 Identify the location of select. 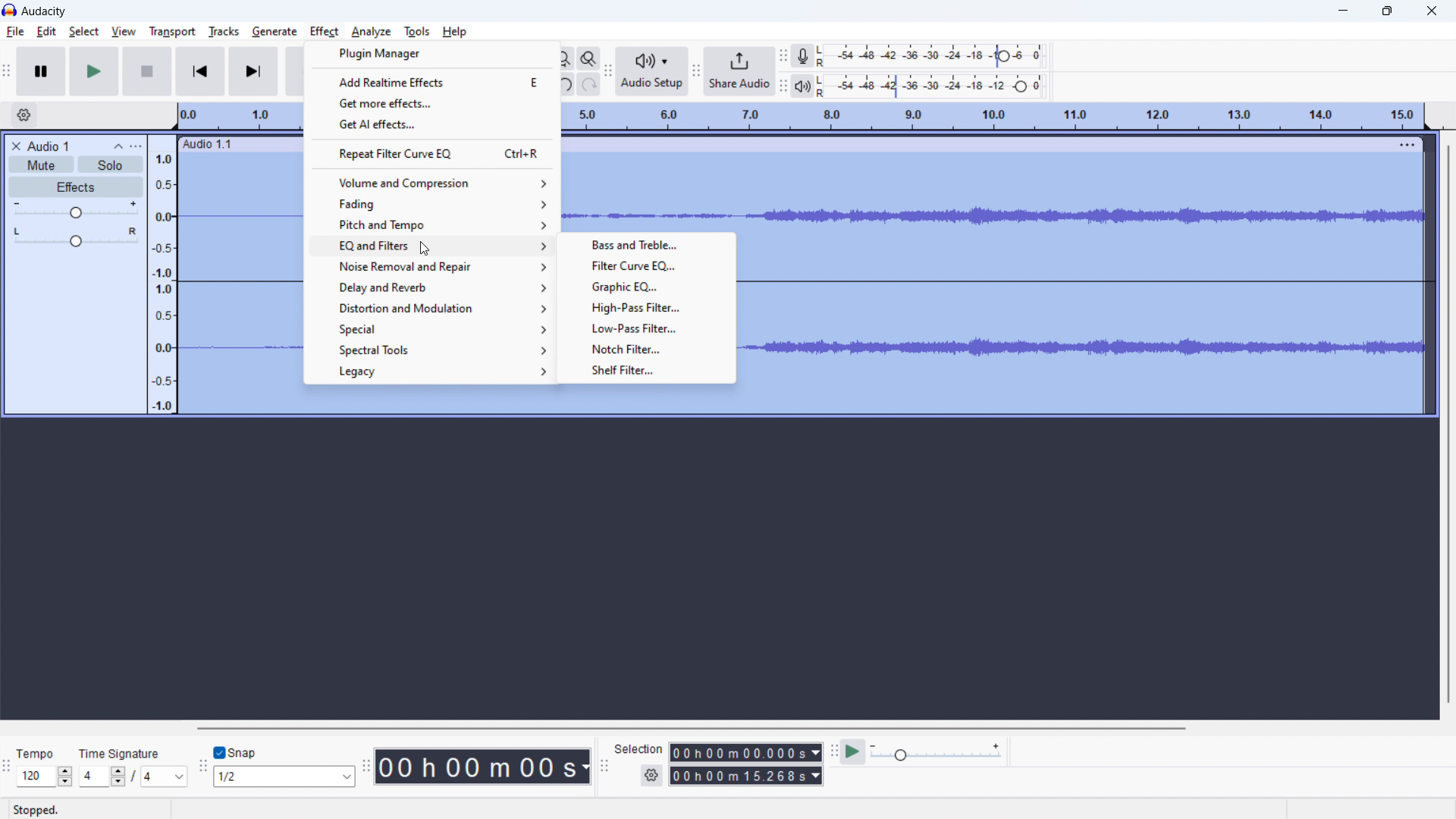
(83, 32).